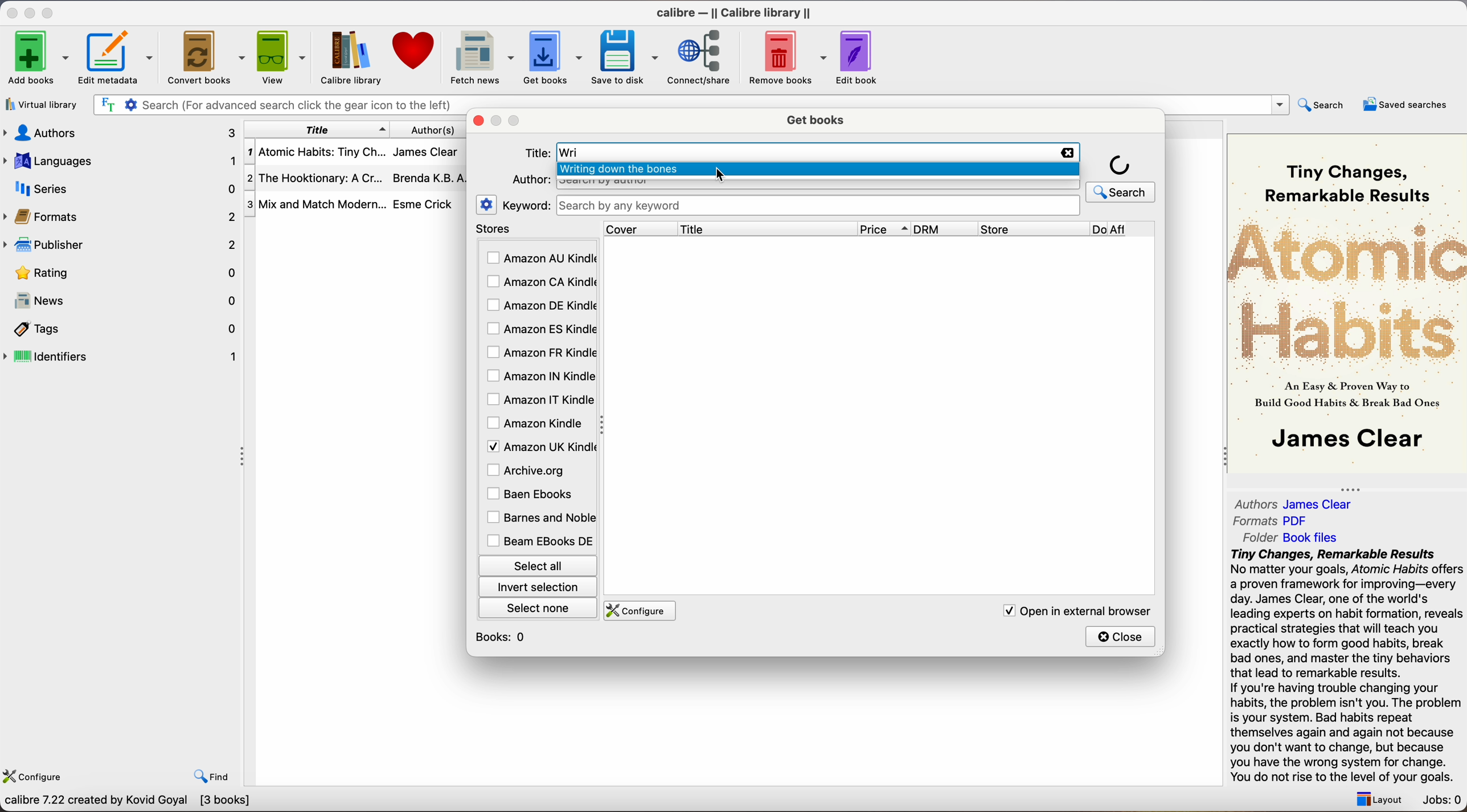  What do you see at coordinates (540, 283) in the screenshot?
I see `Amazon CA Kindle` at bounding box center [540, 283].